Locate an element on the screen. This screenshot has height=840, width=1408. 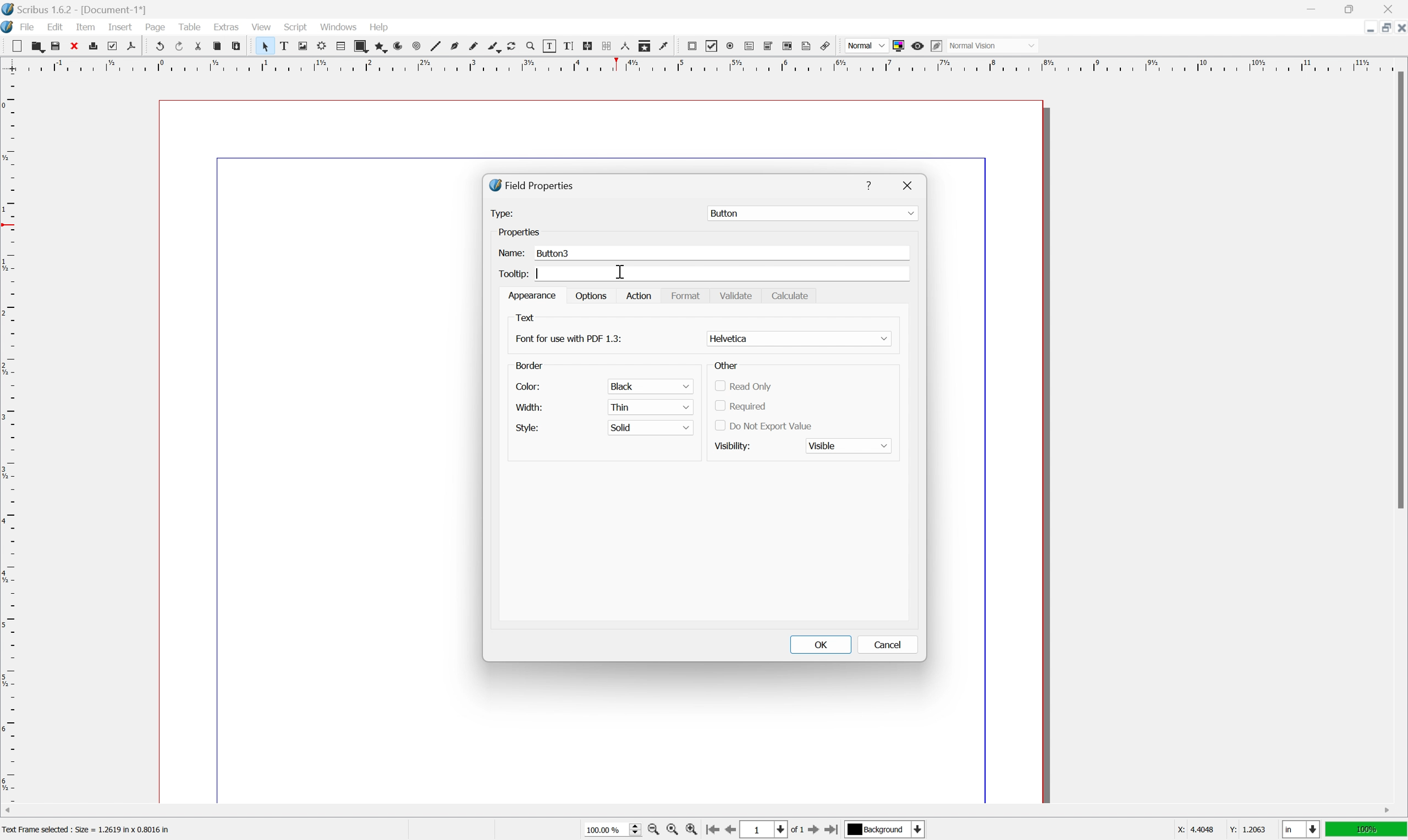
edit contents of frame is located at coordinates (550, 45).